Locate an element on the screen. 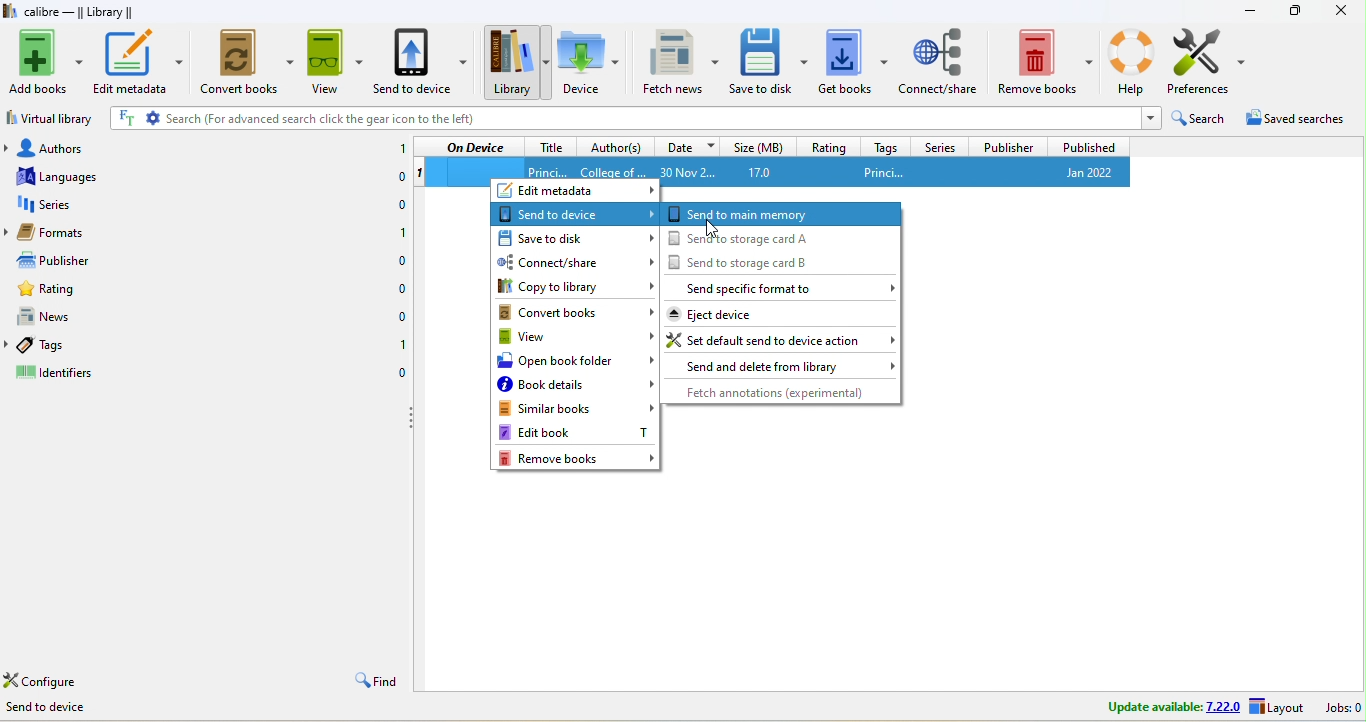 This screenshot has height=722, width=1366. layout is located at coordinates (1277, 708).